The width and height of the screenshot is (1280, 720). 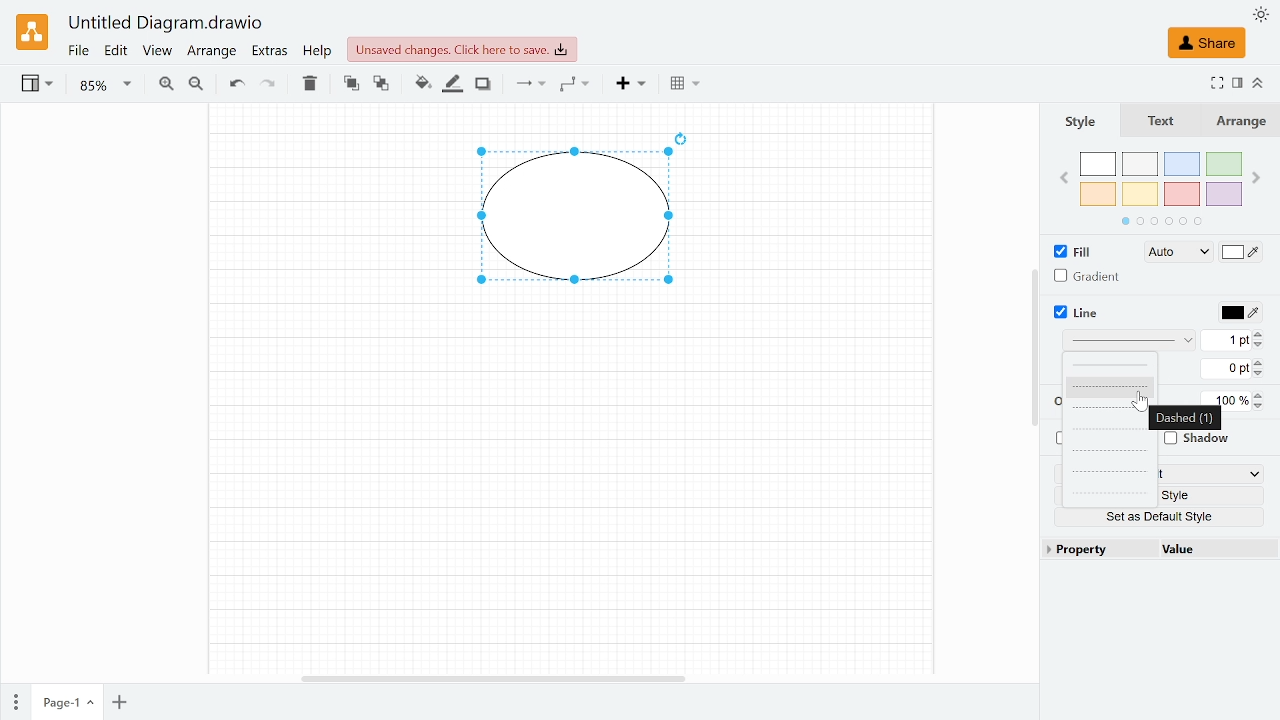 What do you see at coordinates (310, 87) in the screenshot?
I see `Delete` at bounding box center [310, 87].